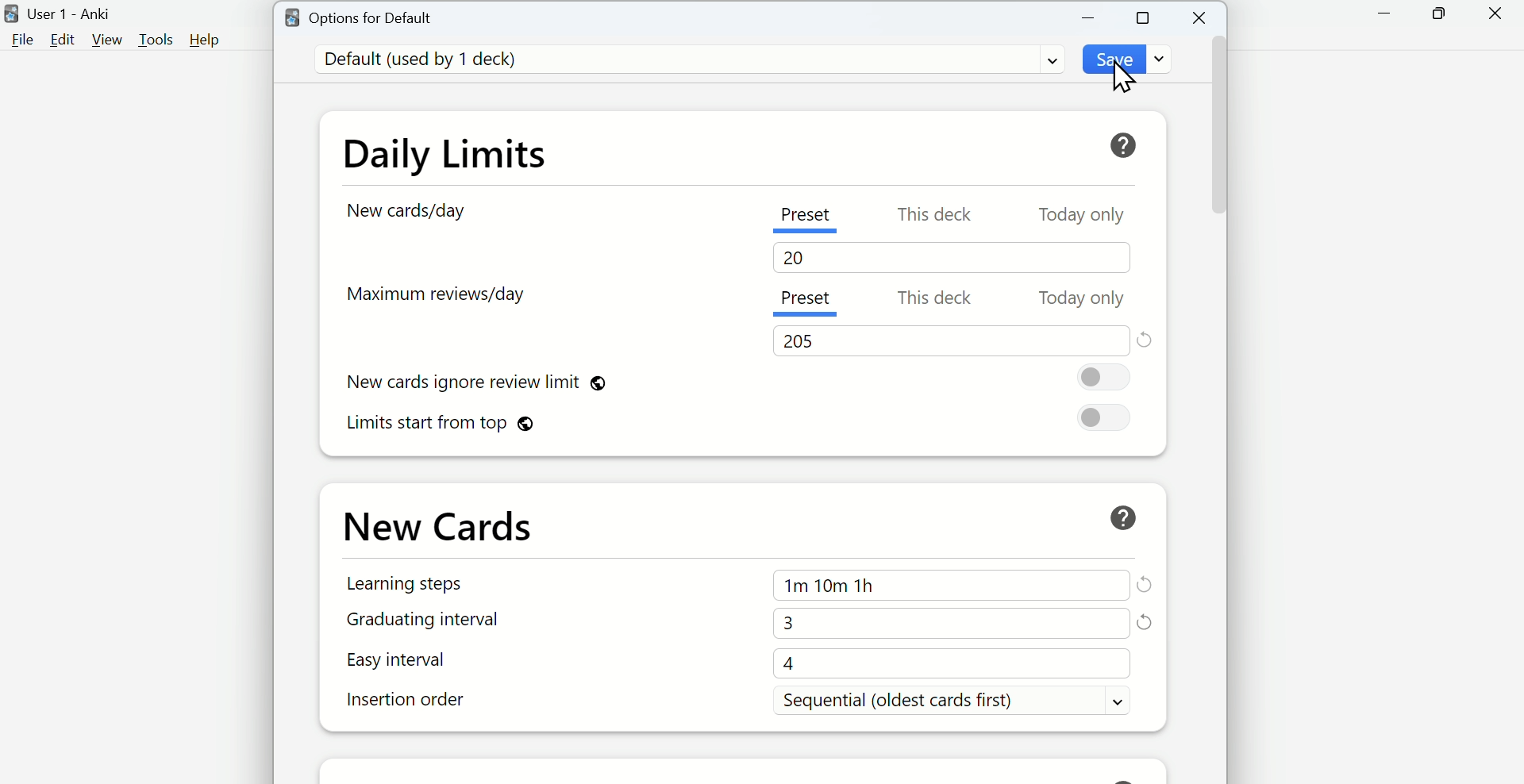 The height and width of the screenshot is (784, 1524). What do you see at coordinates (1147, 338) in the screenshot?
I see `Reset` at bounding box center [1147, 338].